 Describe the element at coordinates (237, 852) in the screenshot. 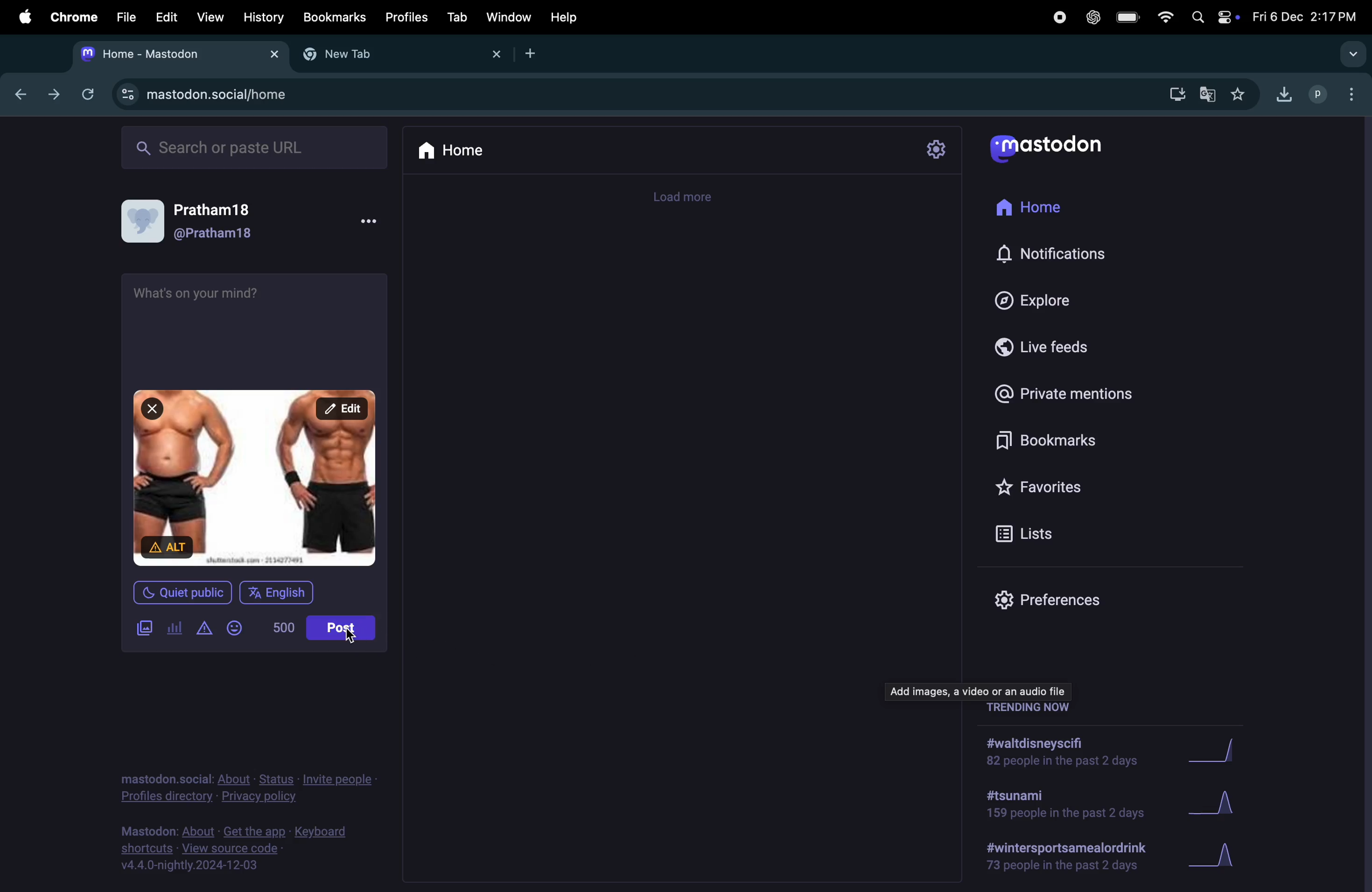

I see `view source code` at that location.